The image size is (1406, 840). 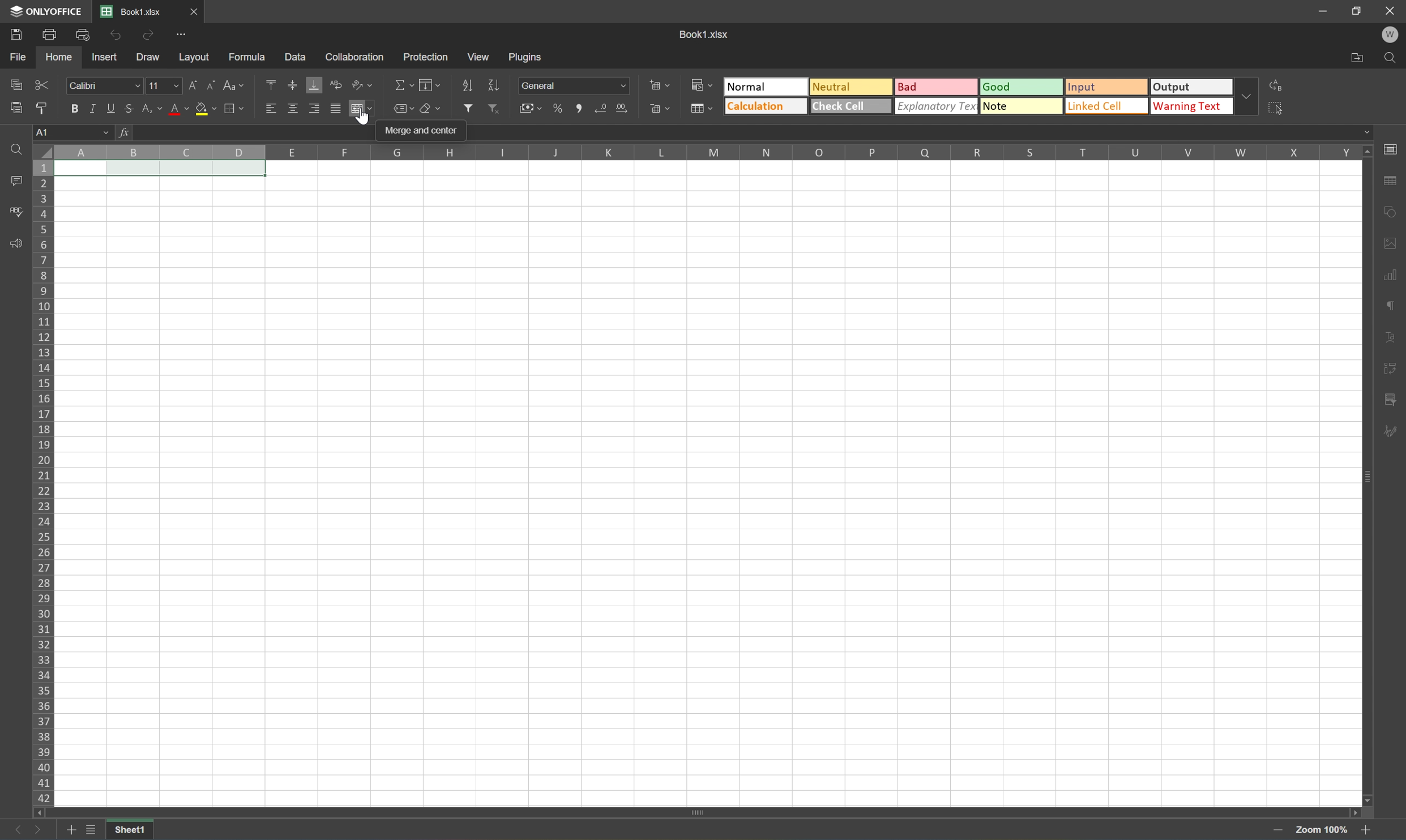 What do you see at coordinates (574, 85) in the screenshot?
I see `Number formal` at bounding box center [574, 85].